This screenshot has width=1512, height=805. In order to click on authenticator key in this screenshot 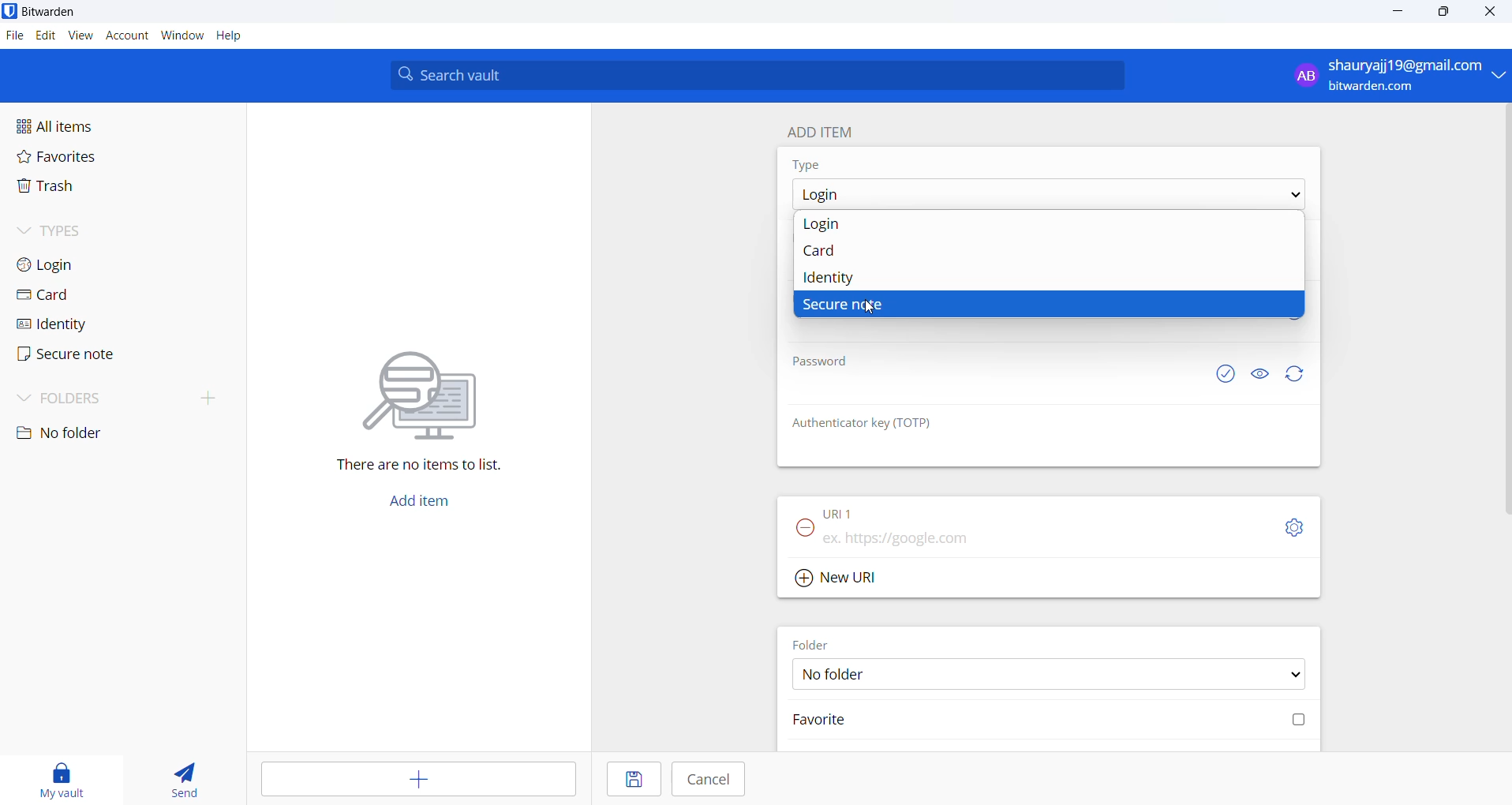, I will do `click(857, 423)`.